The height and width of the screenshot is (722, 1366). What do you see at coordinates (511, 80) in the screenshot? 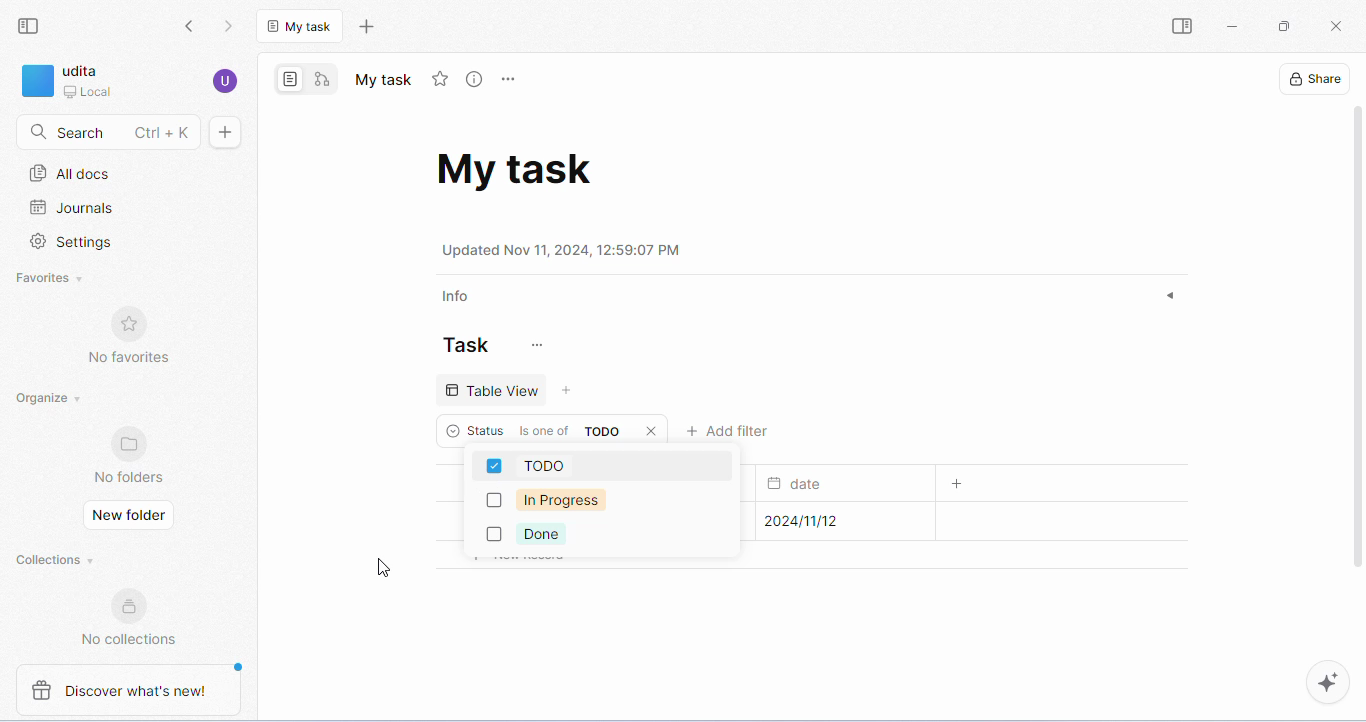
I see `rename and more` at bounding box center [511, 80].